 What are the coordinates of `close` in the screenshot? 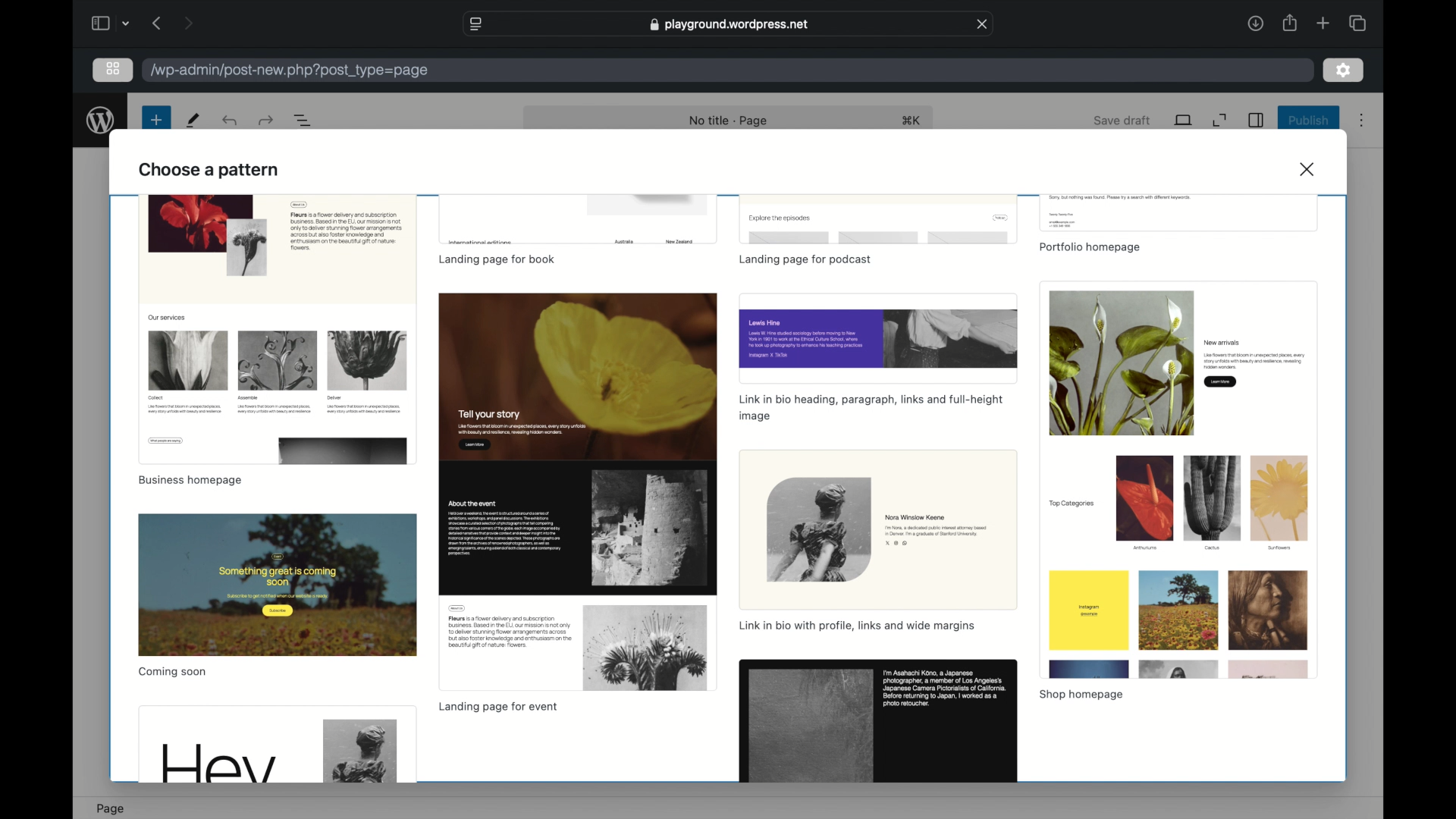 It's located at (984, 24).